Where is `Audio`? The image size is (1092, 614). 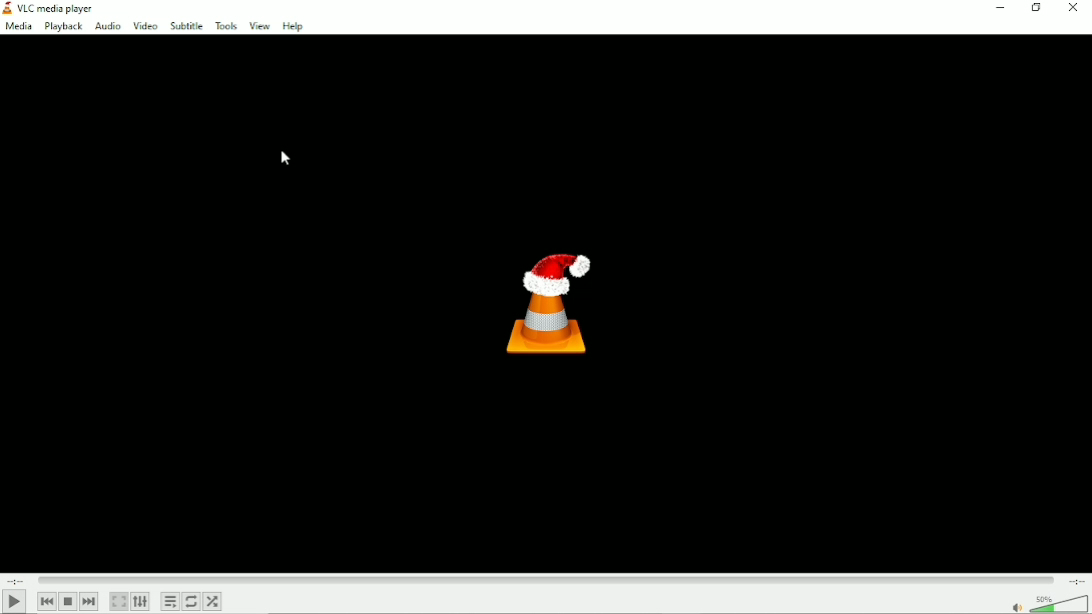 Audio is located at coordinates (107, 26).